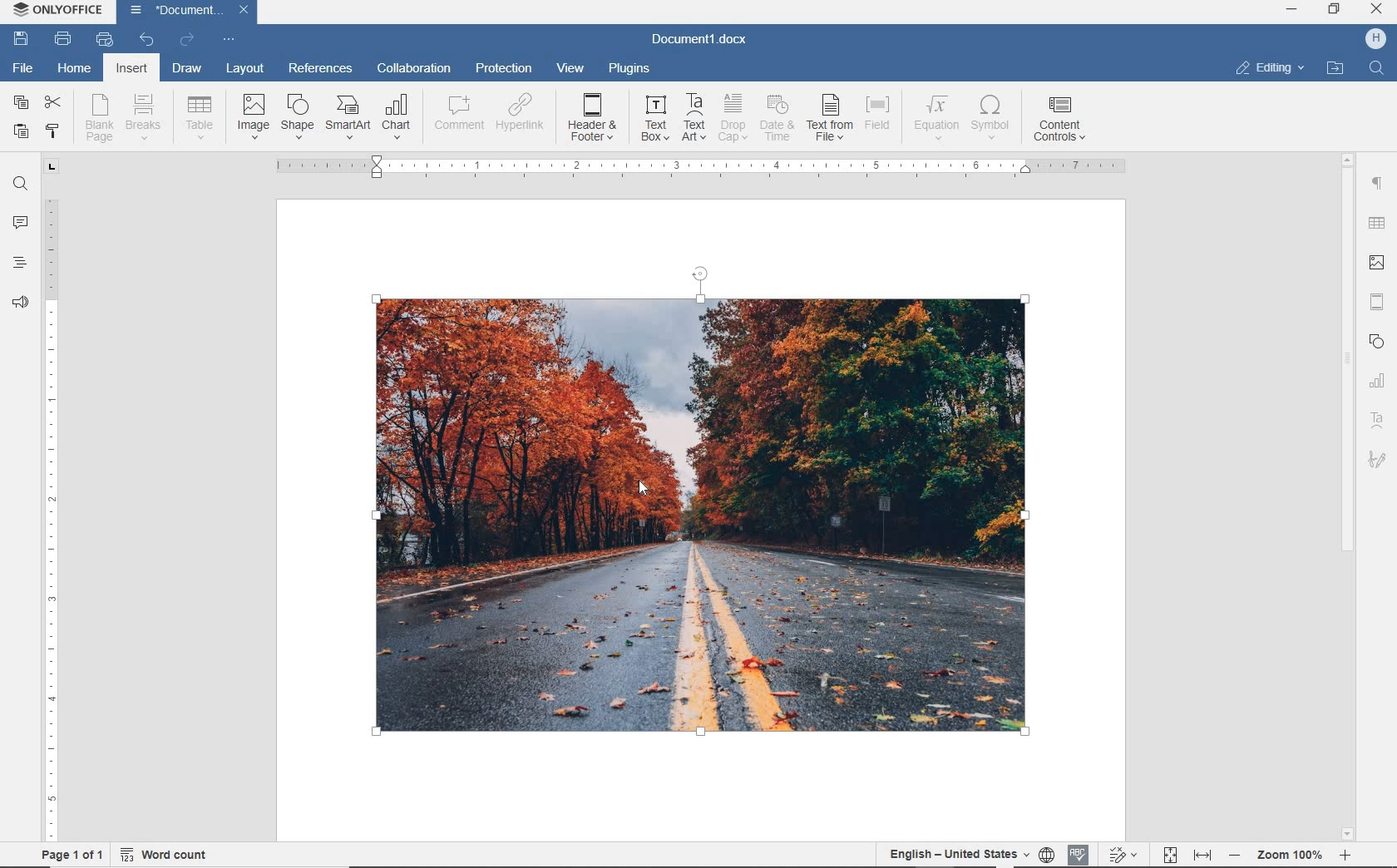 Image resolution: width=1397 pixels, height=868 pixels. I want to click on print, so click(62, 40).